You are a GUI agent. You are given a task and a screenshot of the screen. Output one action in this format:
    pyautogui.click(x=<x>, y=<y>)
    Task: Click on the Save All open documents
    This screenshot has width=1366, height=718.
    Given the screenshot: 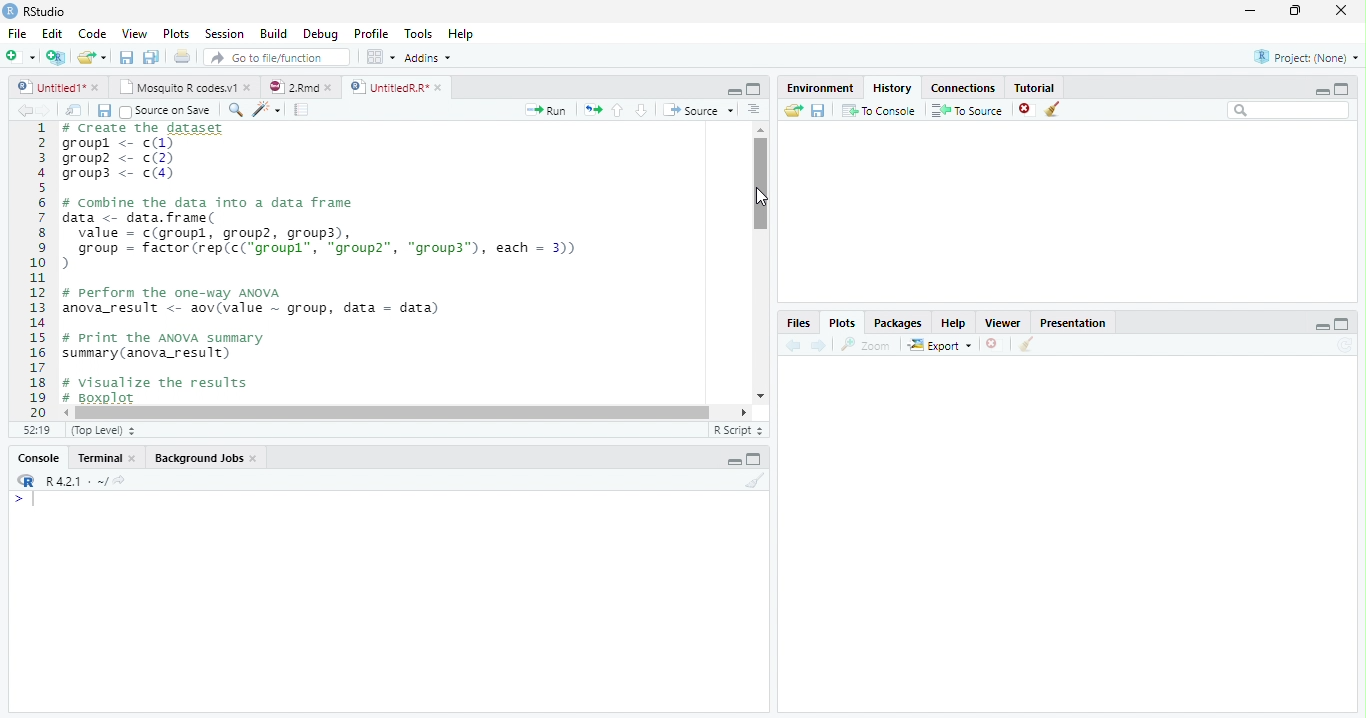 What is the action you would take?
    pyautogui.click(x=150, y=57)
    